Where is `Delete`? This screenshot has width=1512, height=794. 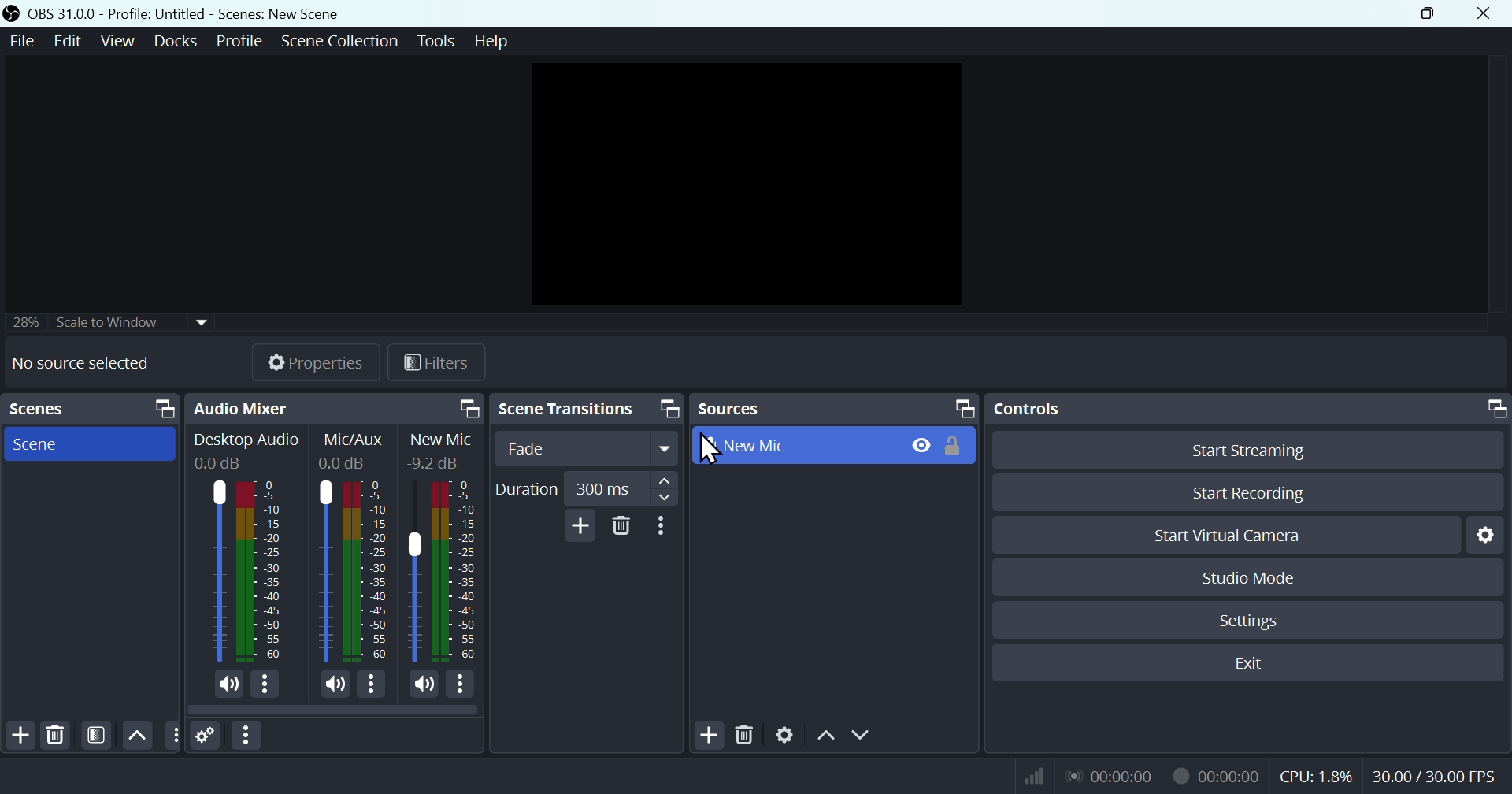 Delete is located at coordinates (62, 735).